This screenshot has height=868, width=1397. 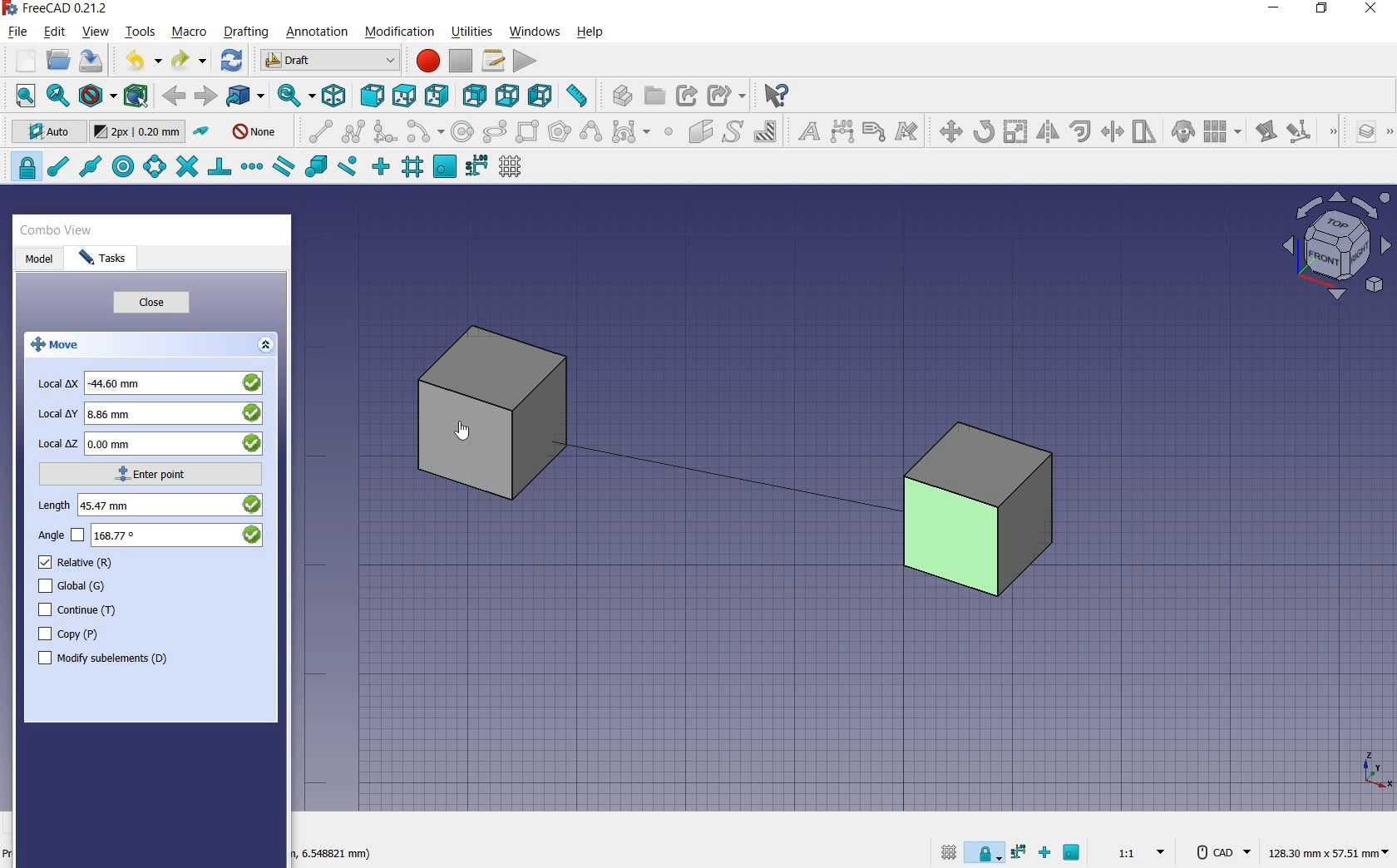 What do you see at coordinates (590, 133) in the screenshot?
I see `B-Spline` at bounding box center [590, 133].